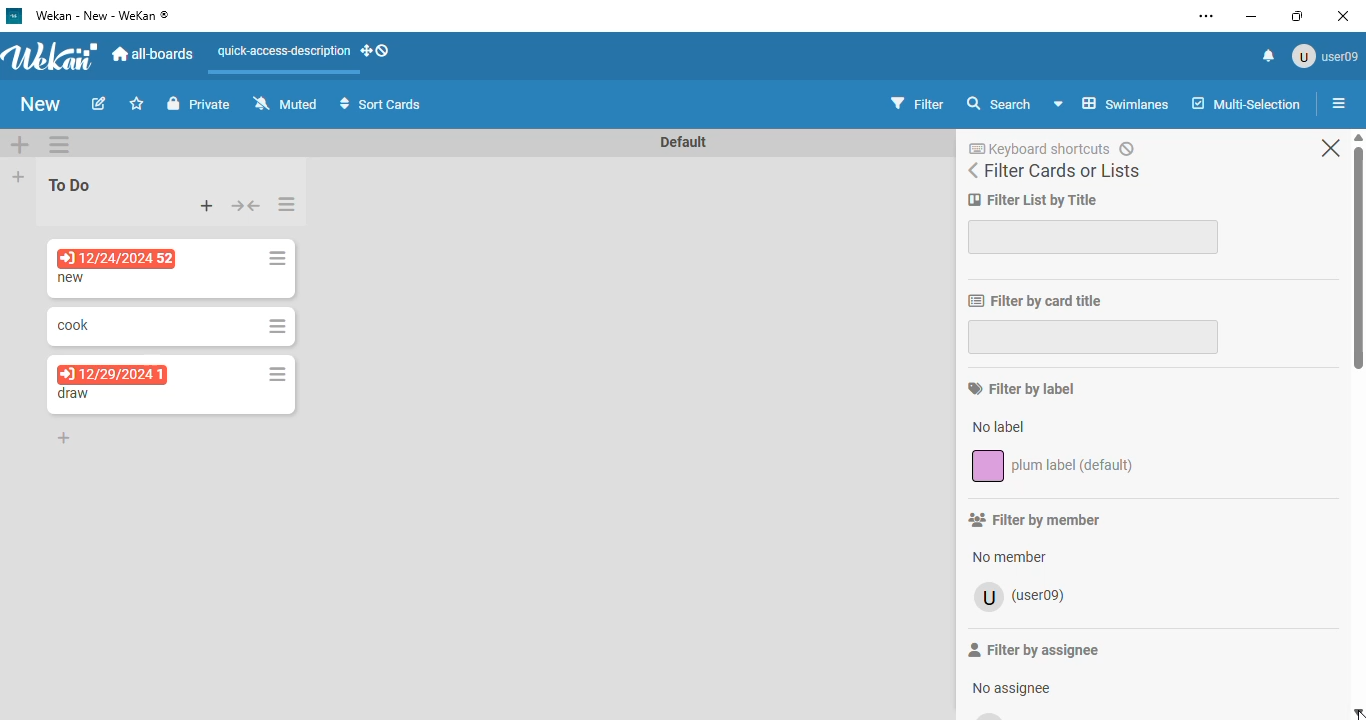 This screenshot has width=1366, height=720. Describe the element at coordinates (1033, 649) in the screenshot. I see `filter by assignee` at that location.